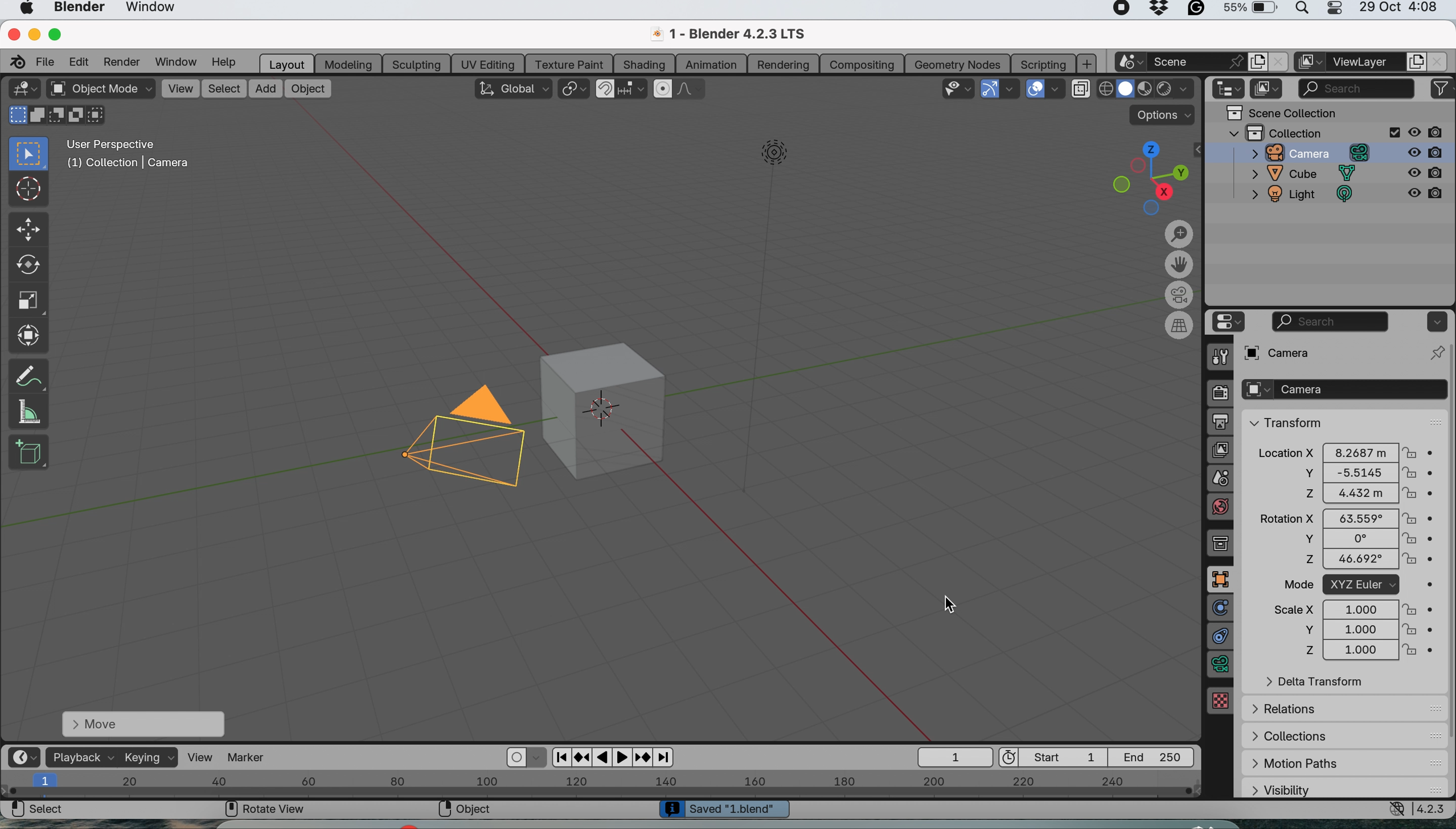 This screenshot has height=829, width=1456. Describe the element at coordinates (178, 61) in the screenshot. I see `window` at that location.